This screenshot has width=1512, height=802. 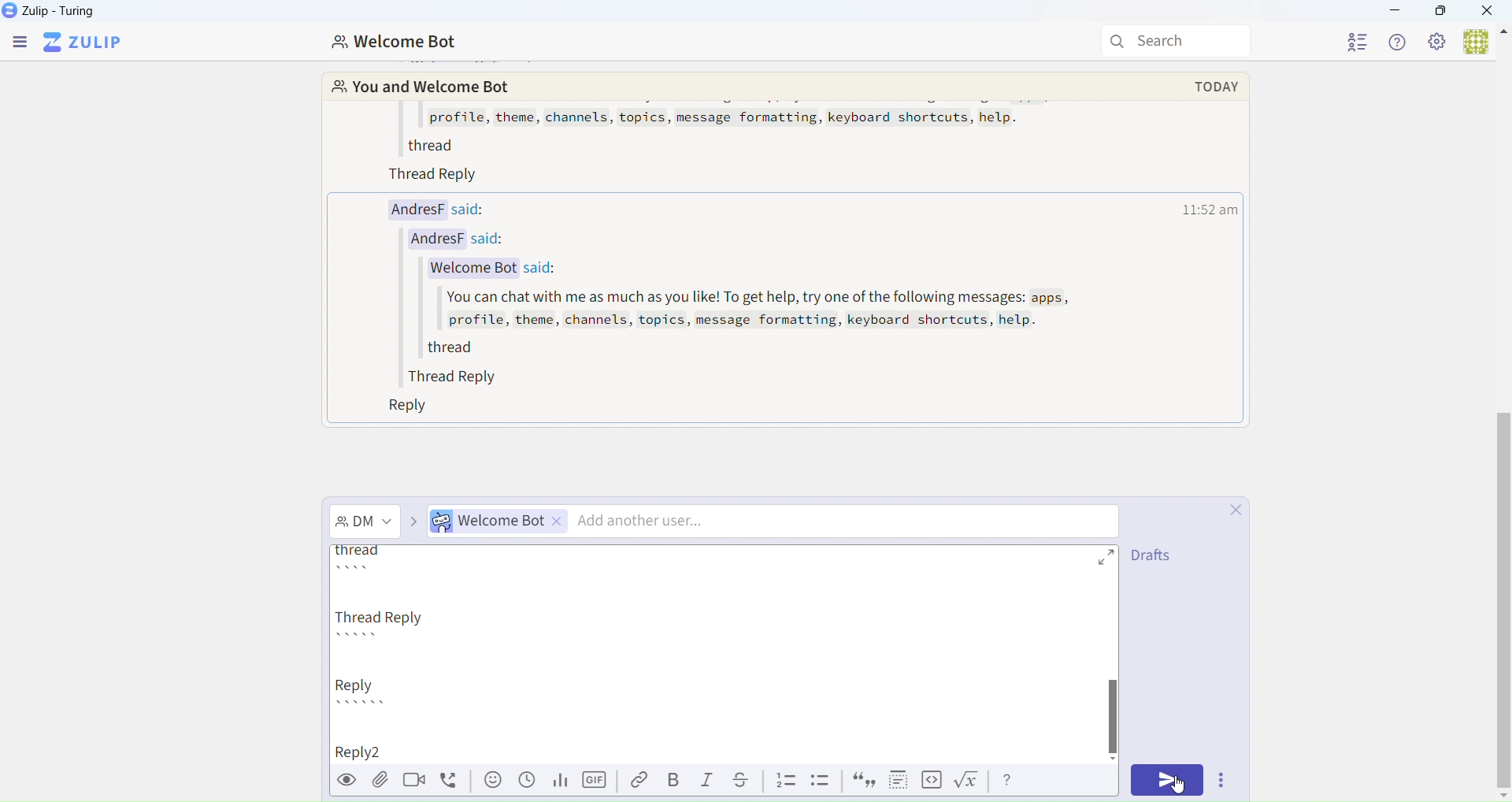 What do you see at coordinates (1181, 785) in the screenshot?
I see `cursor` at bounding box center [1181, 785].